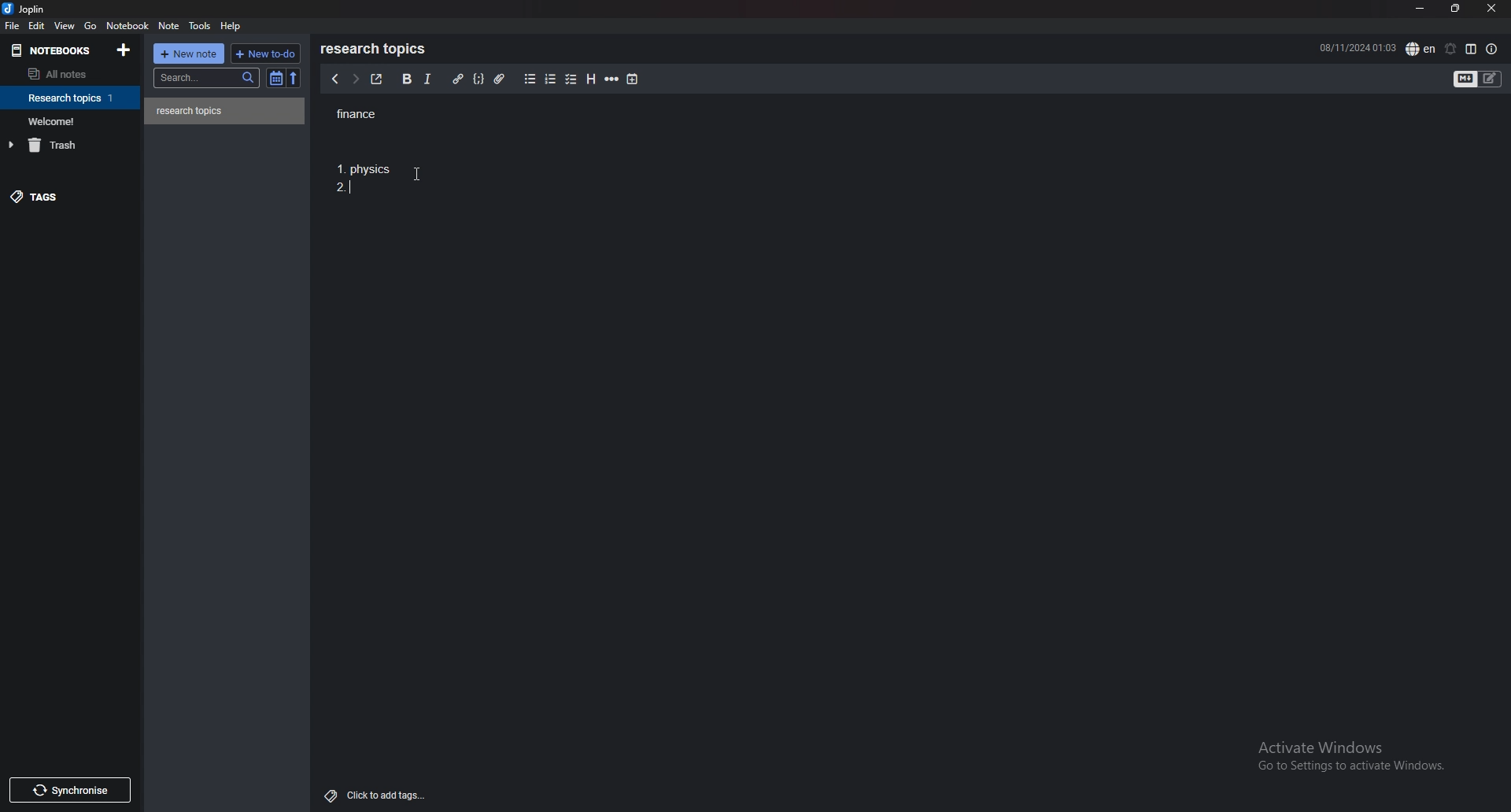  I want to click on  finance, so click(375, 113).